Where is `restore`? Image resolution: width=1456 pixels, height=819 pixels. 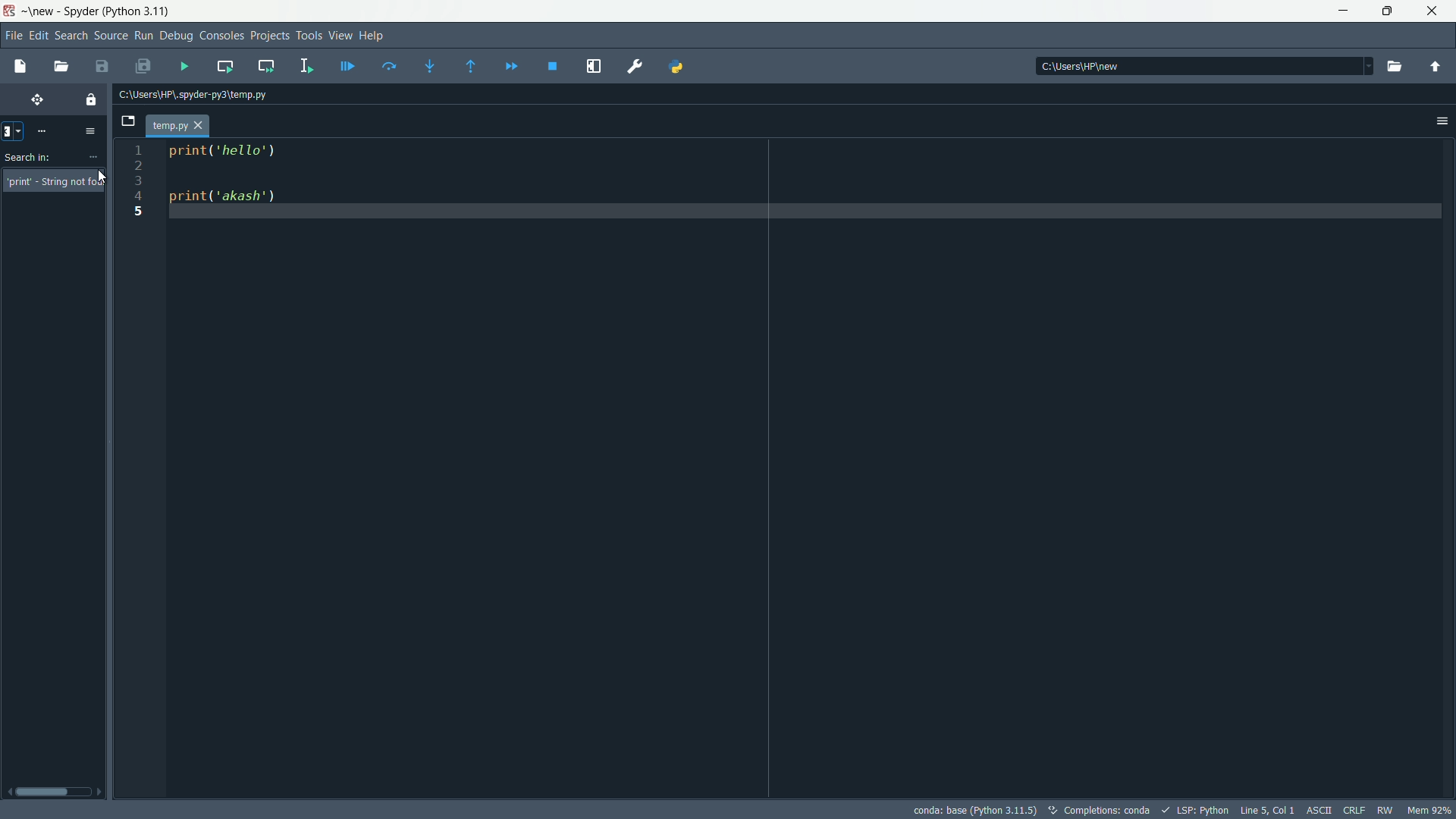 restore is located at coordinates (1387, 11).